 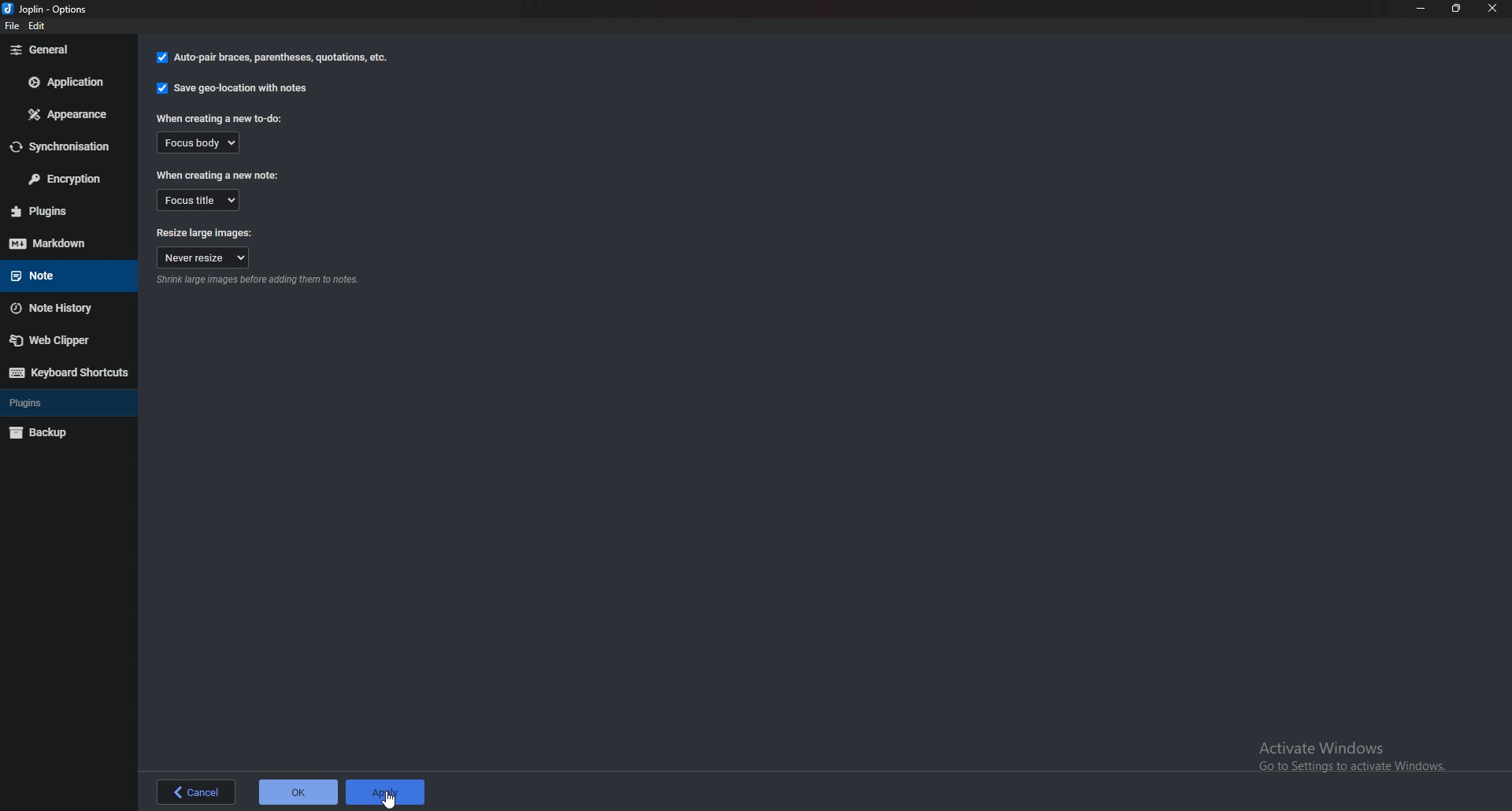 What do you see at coordinates (1422, 8) in the screenshot?
I see `Minimize` at bounding box center [1422, 8].